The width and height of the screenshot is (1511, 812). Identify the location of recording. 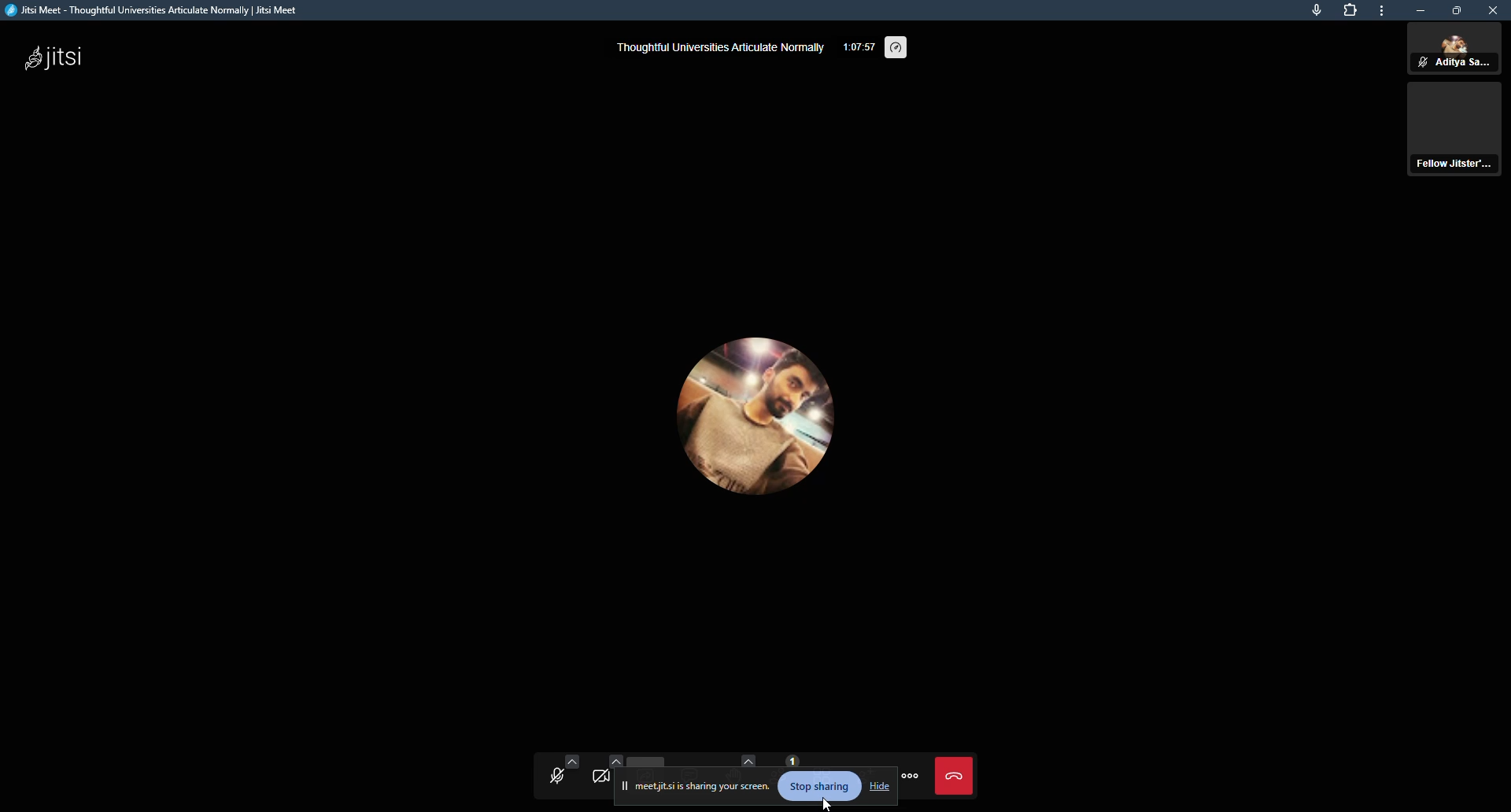
(1457, 134).